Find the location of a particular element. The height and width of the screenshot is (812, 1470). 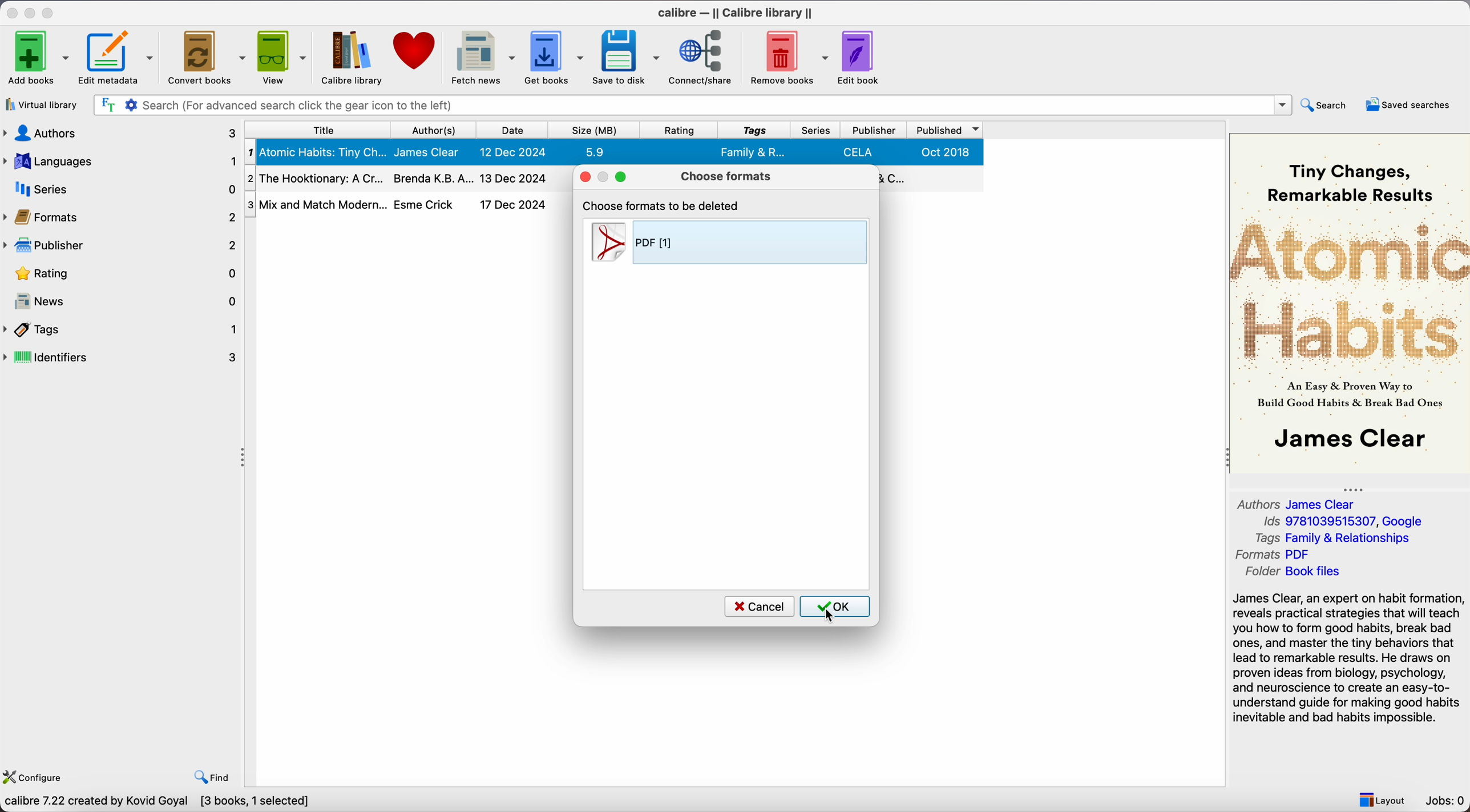

edit metadata is located at coordinates (118, 58).